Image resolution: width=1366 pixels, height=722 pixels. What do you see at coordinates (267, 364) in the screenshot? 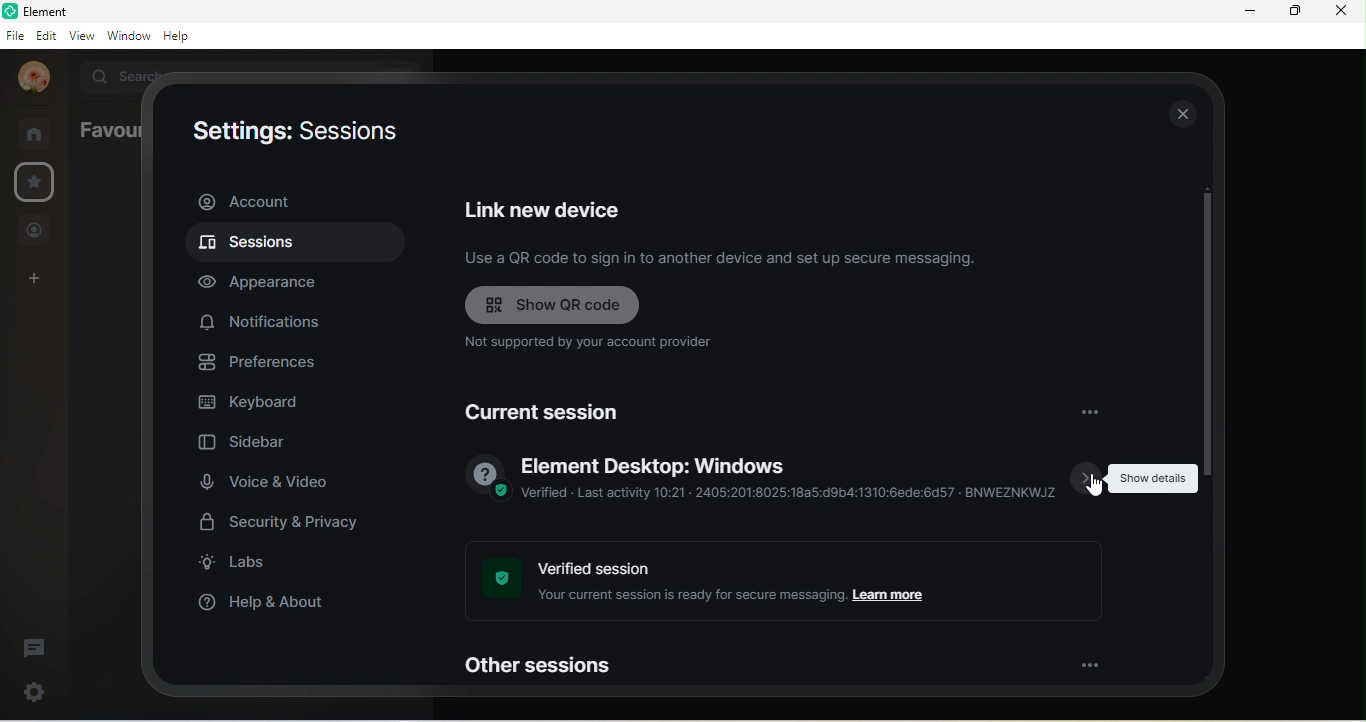
I see `preferences` at bounding box center [267, 364].